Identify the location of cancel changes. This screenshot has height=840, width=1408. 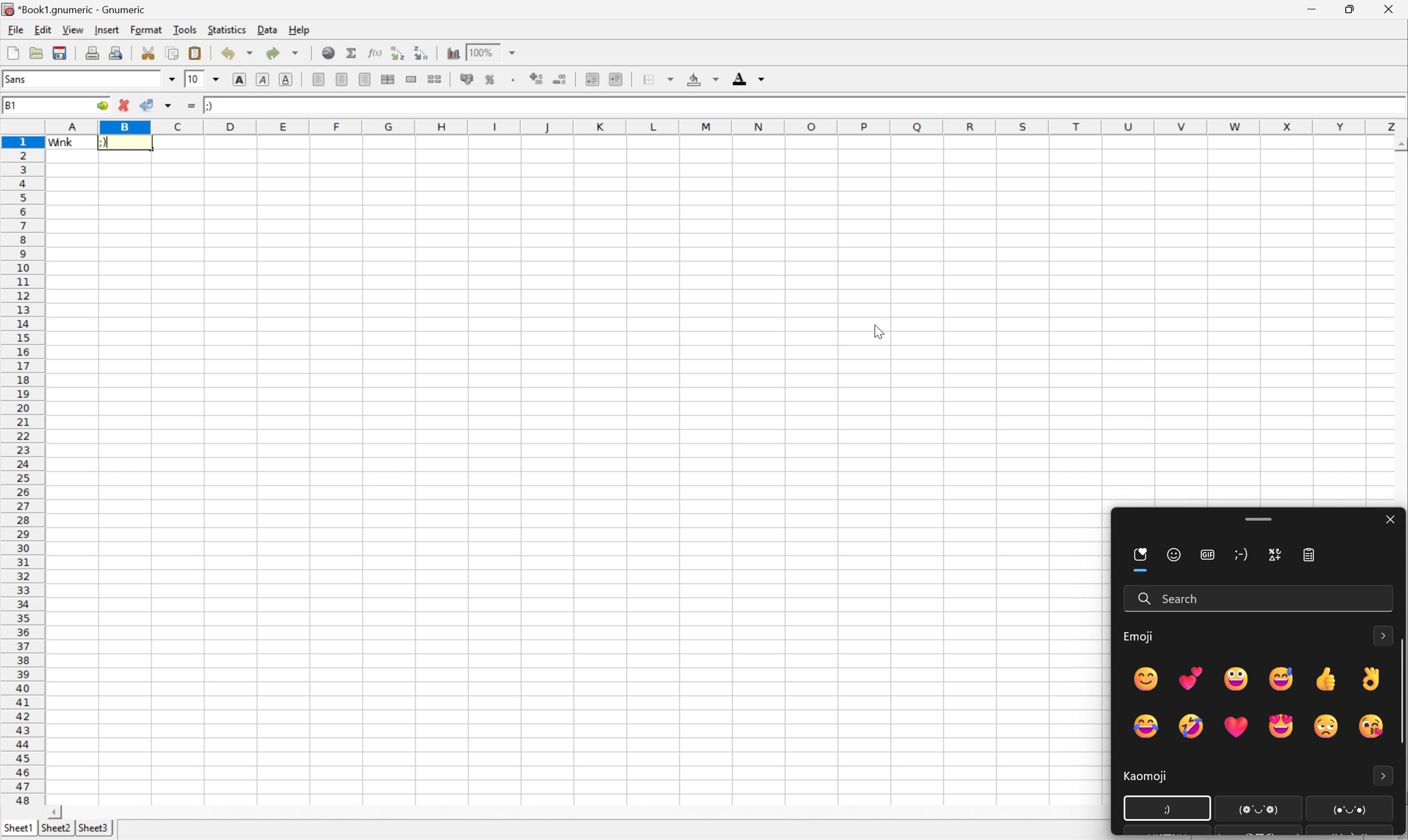
(122, 104).